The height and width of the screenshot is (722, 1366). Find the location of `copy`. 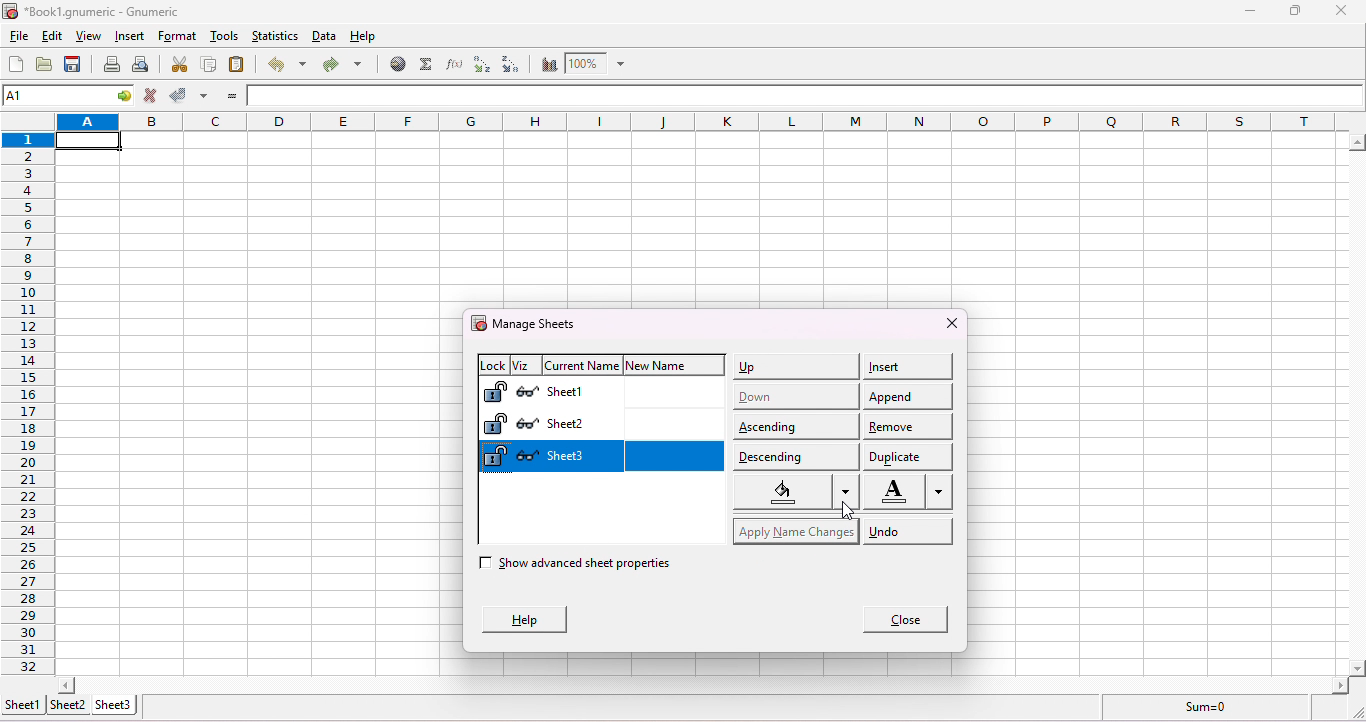

copy is located at coordinates (205, 66).